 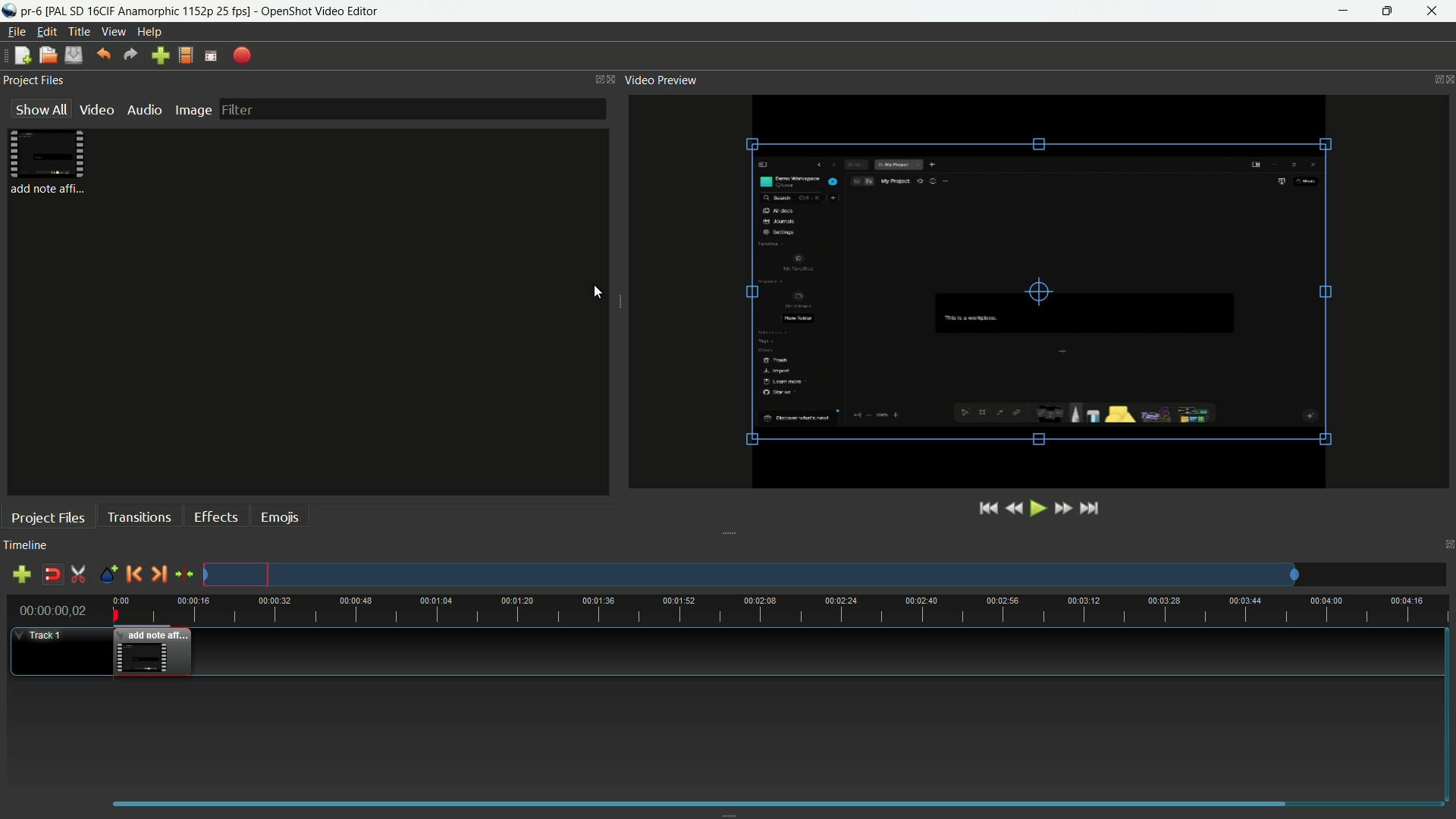 I want to click on emojis, so click(x=281, y=516).